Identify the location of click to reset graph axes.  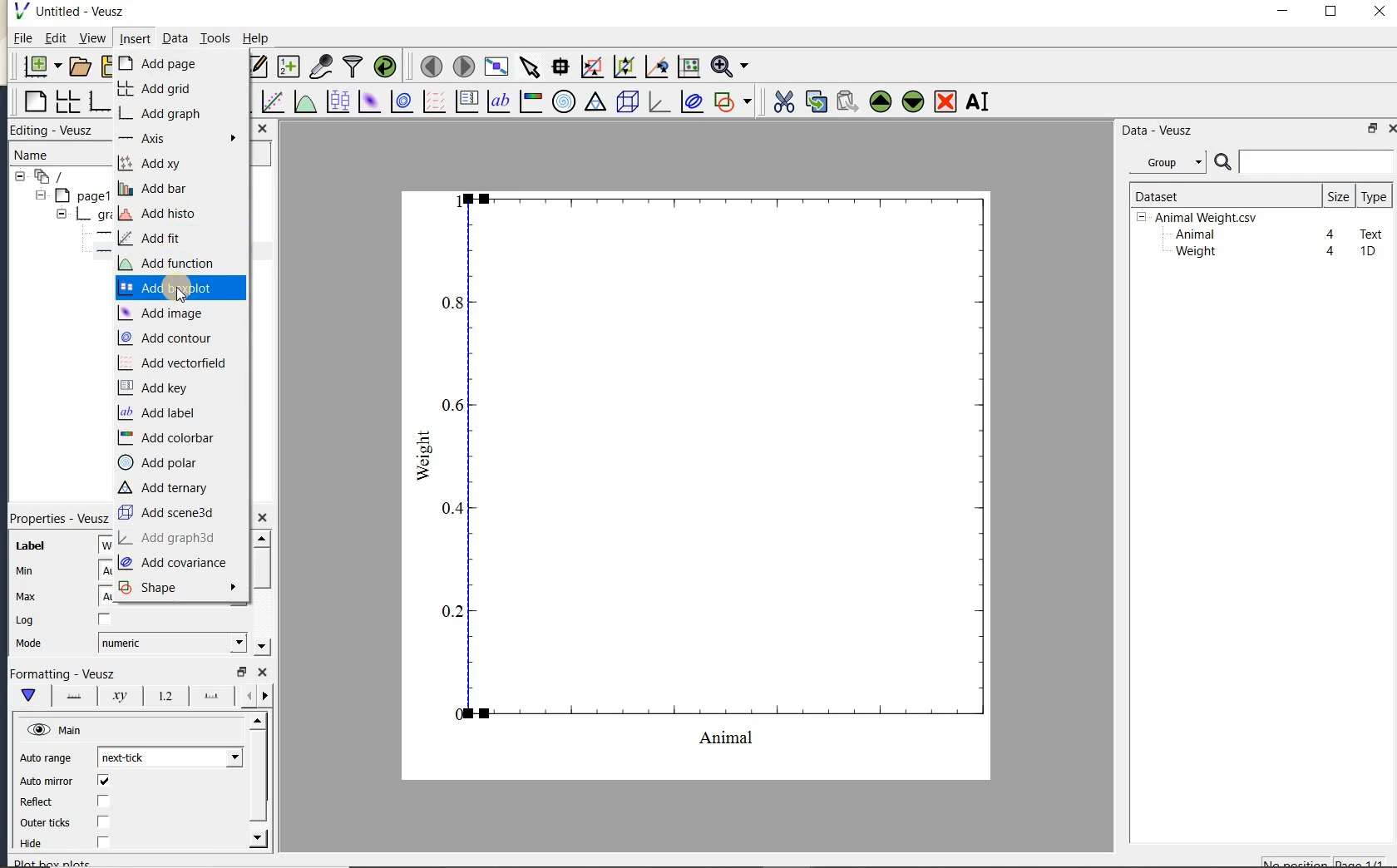
(689, 67).